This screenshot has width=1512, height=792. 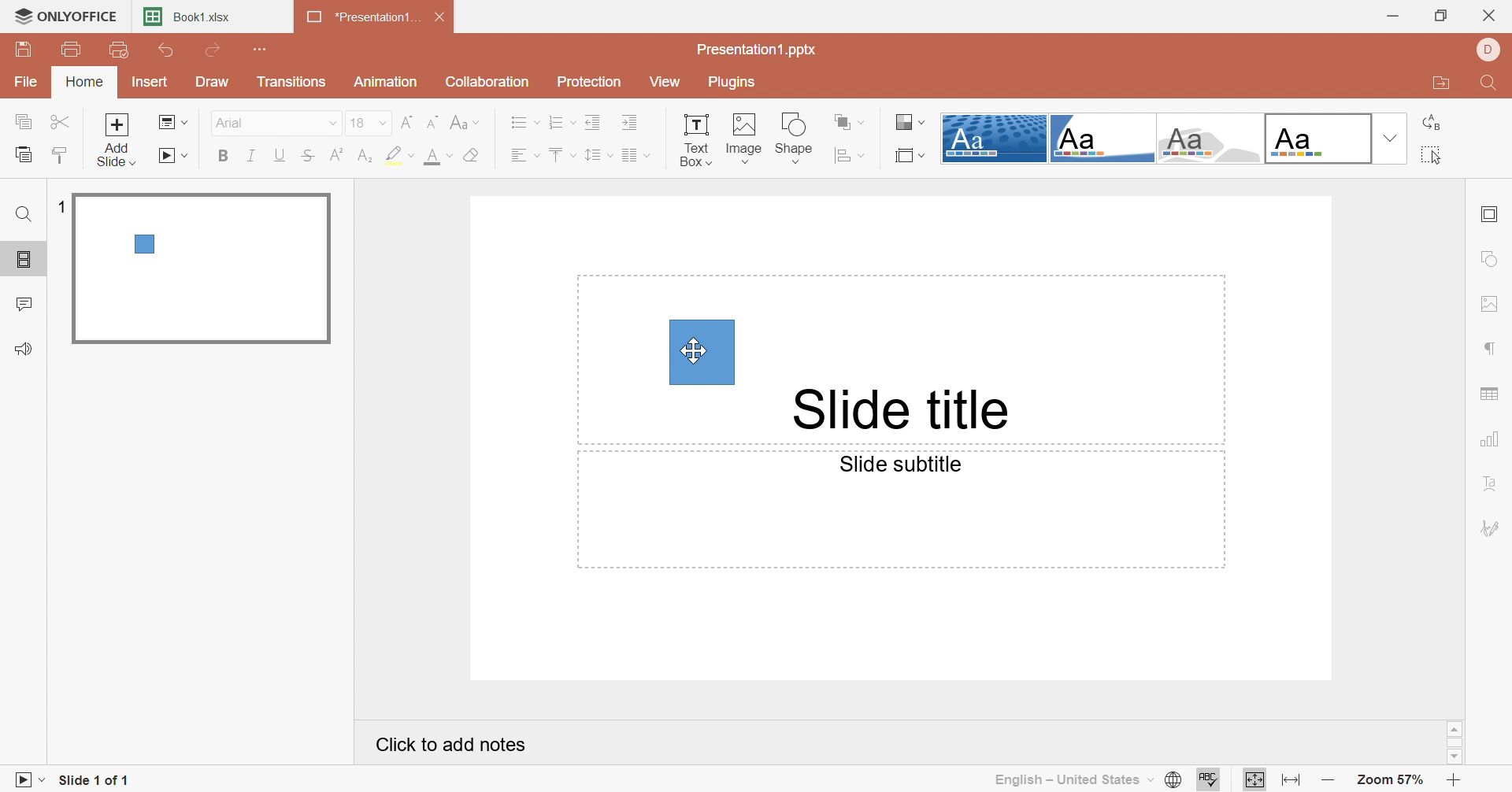 I want to click on Animation, so click(x=384, y=80).